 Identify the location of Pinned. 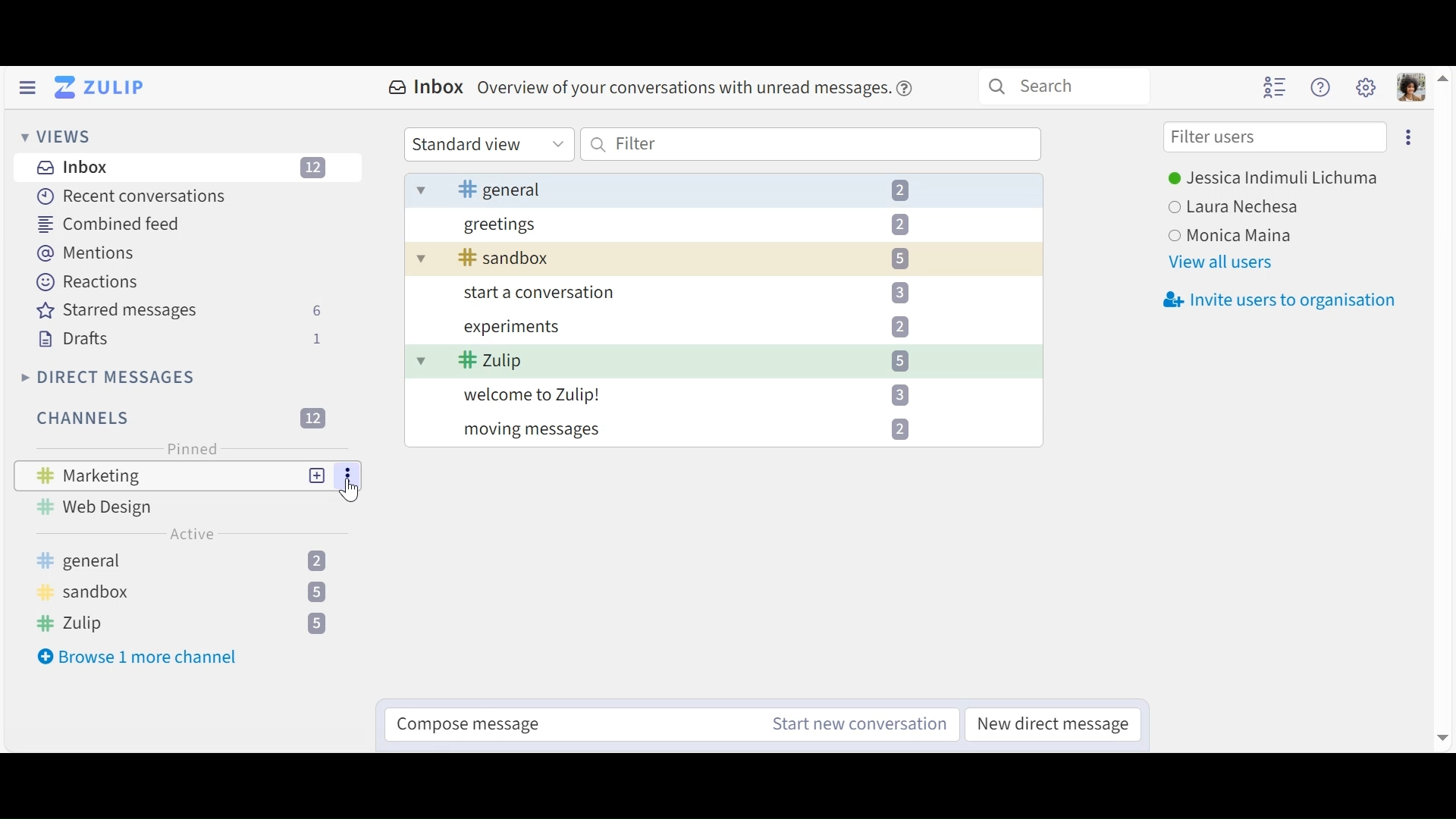
(189, 450).